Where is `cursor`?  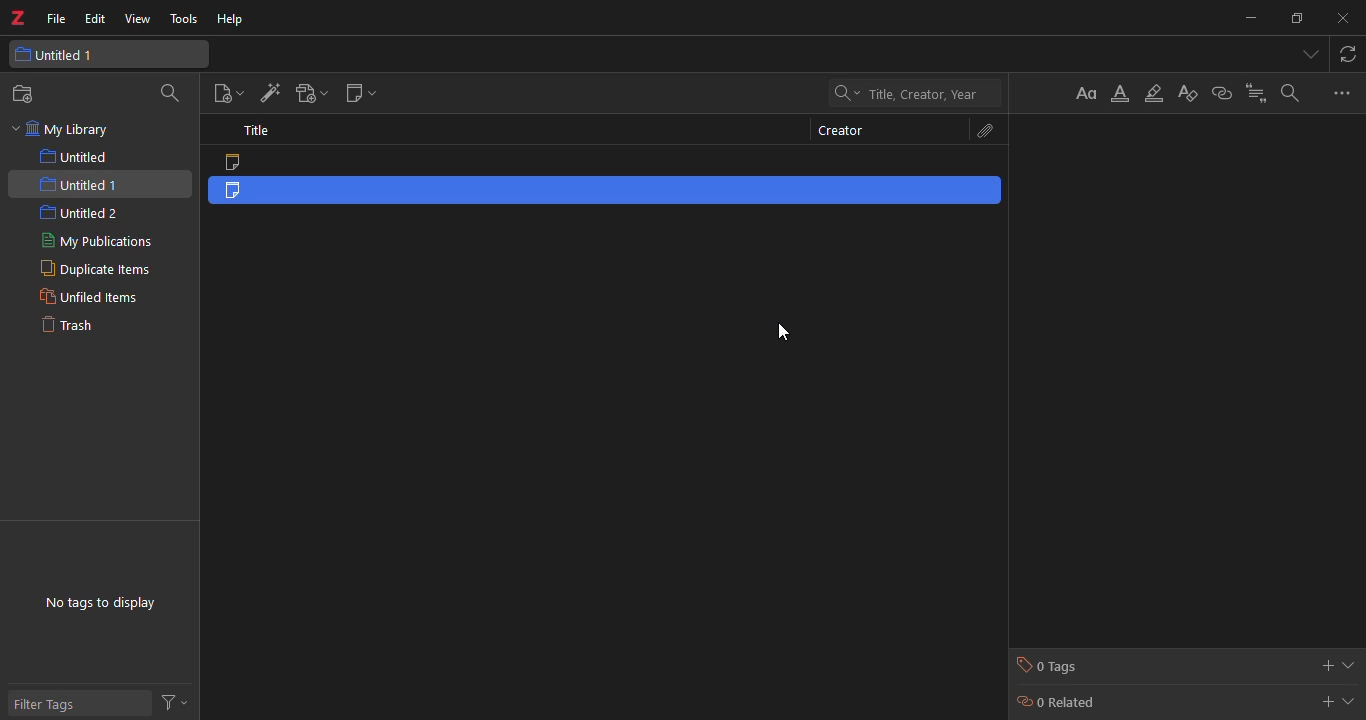 cursor is located at coordinates (786, 332).